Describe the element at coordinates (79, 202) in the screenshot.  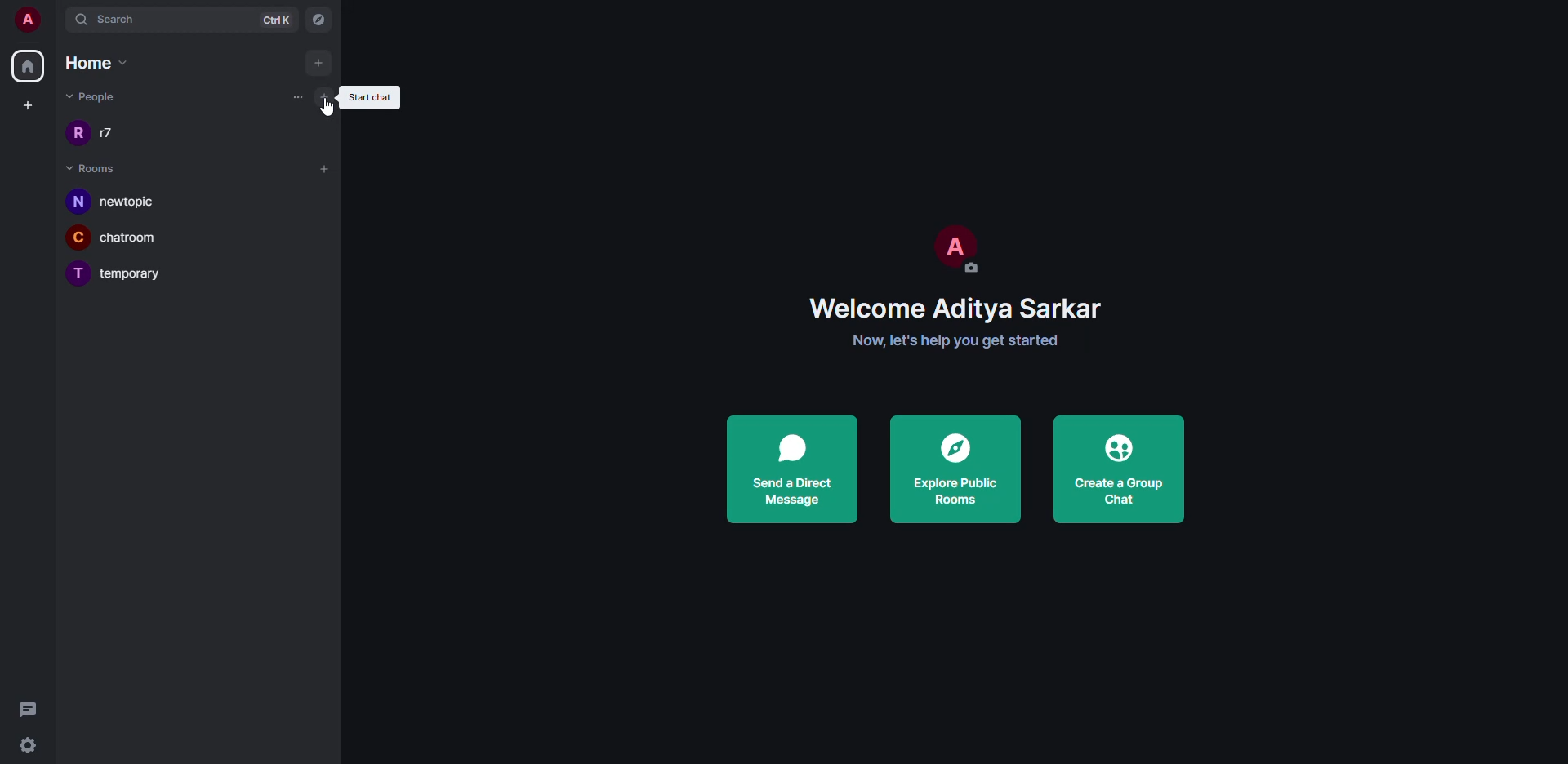
I see `n` at that location.